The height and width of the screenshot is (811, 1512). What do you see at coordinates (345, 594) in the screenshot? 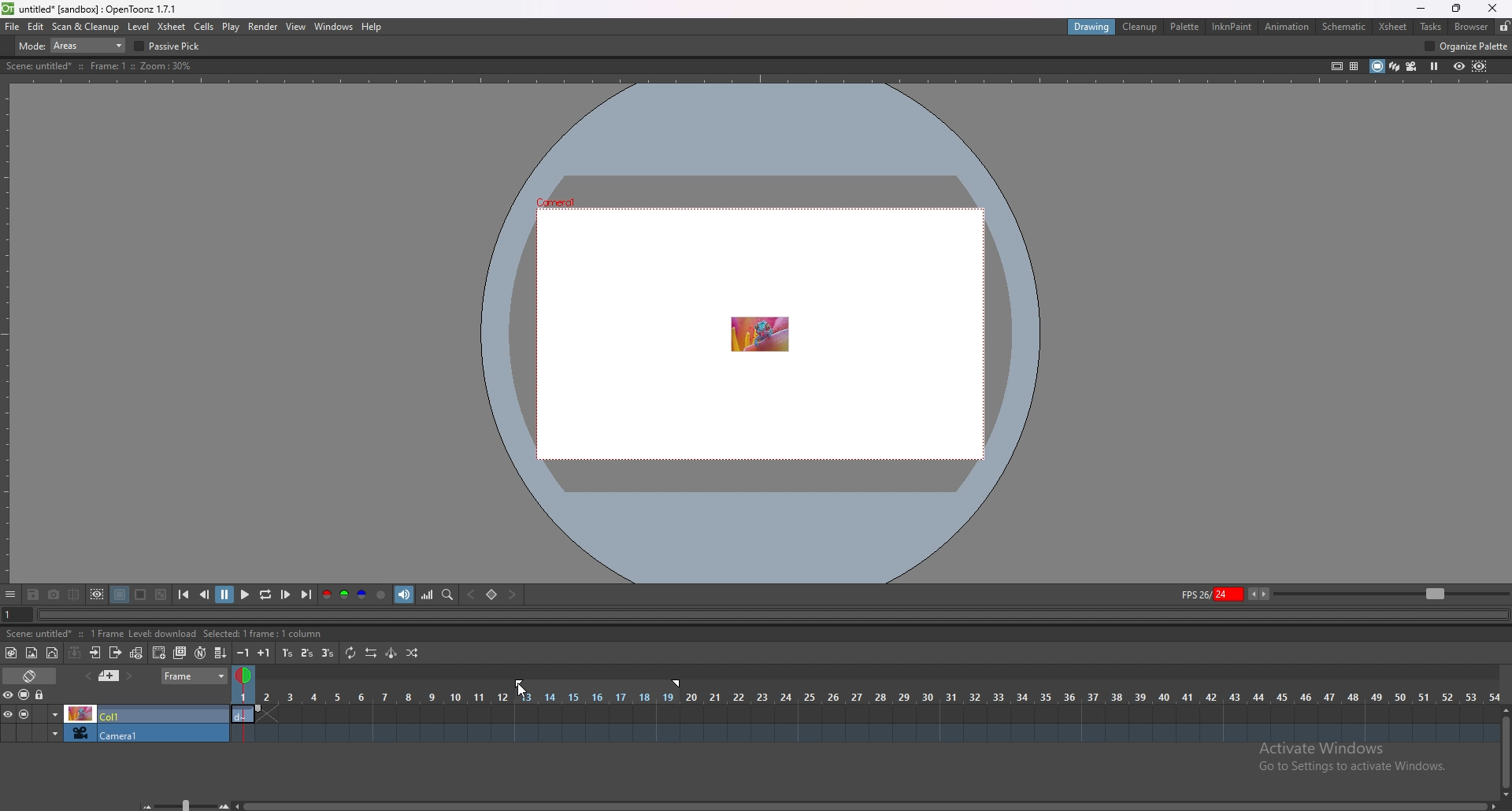
I see `green channel` at bounding box center [345, 594].